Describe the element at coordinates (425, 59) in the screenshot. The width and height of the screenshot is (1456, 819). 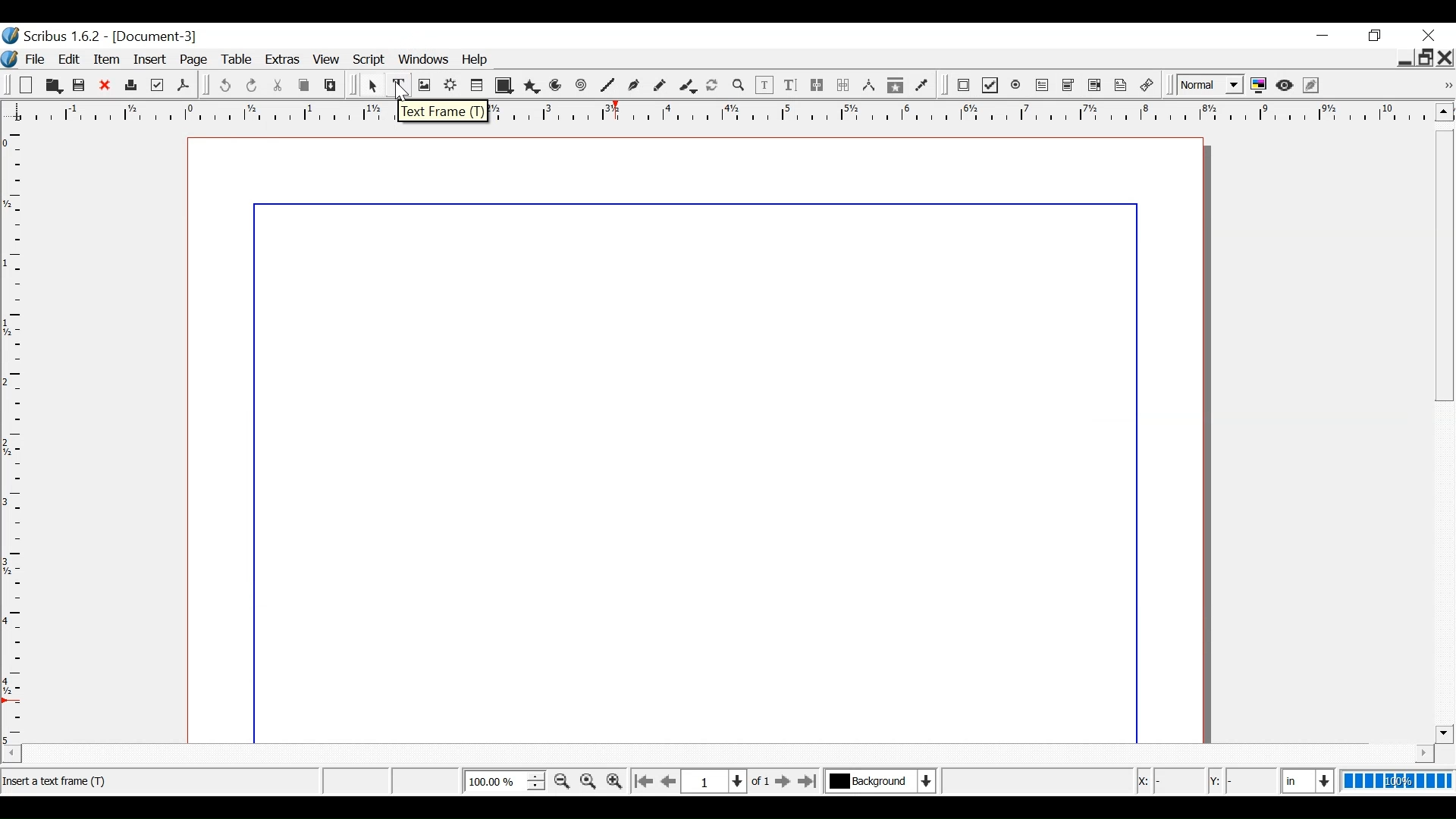
I see `Windows` at that location.